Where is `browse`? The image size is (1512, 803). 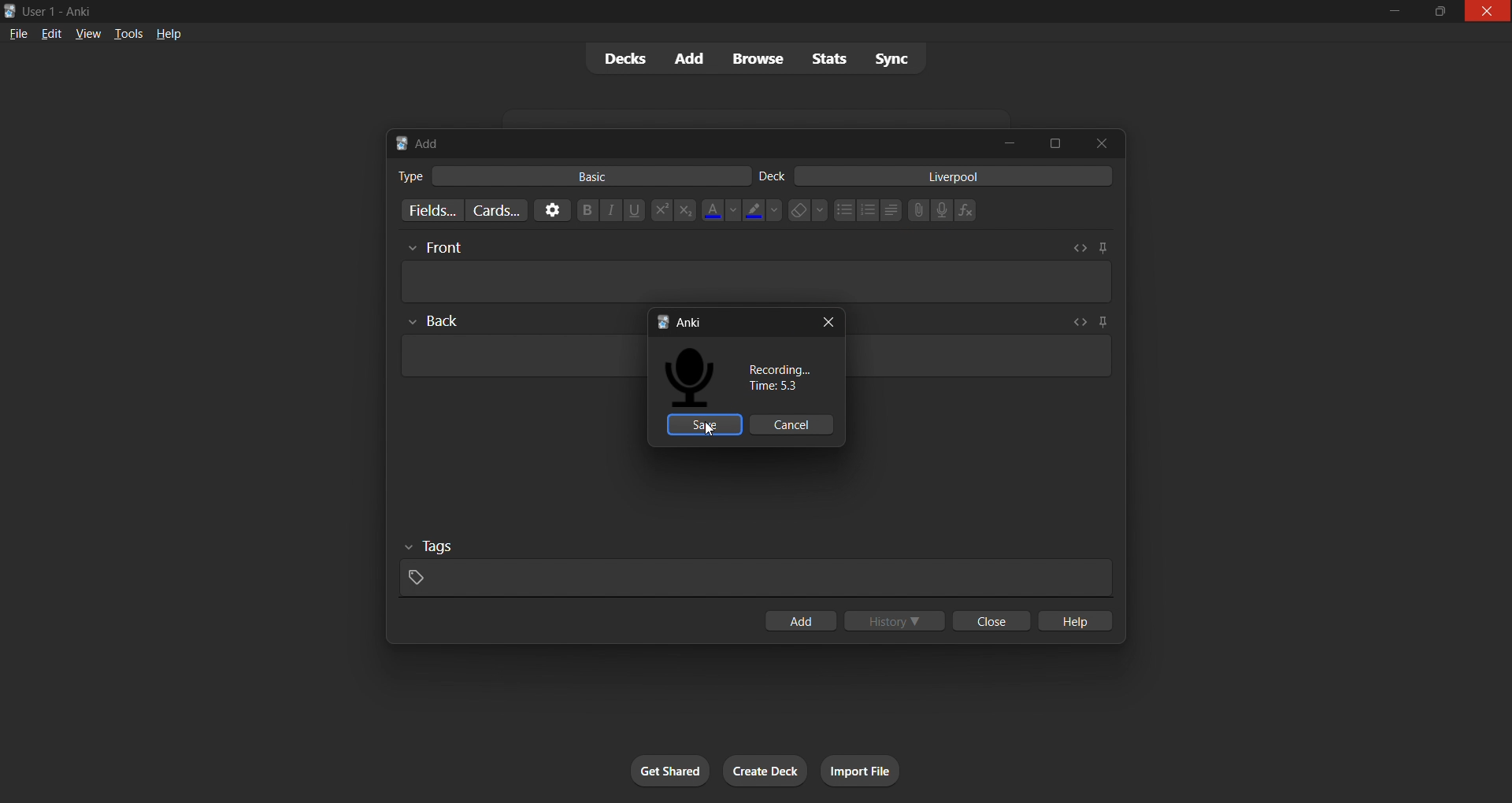 browse is located at coordinates (762, 57).